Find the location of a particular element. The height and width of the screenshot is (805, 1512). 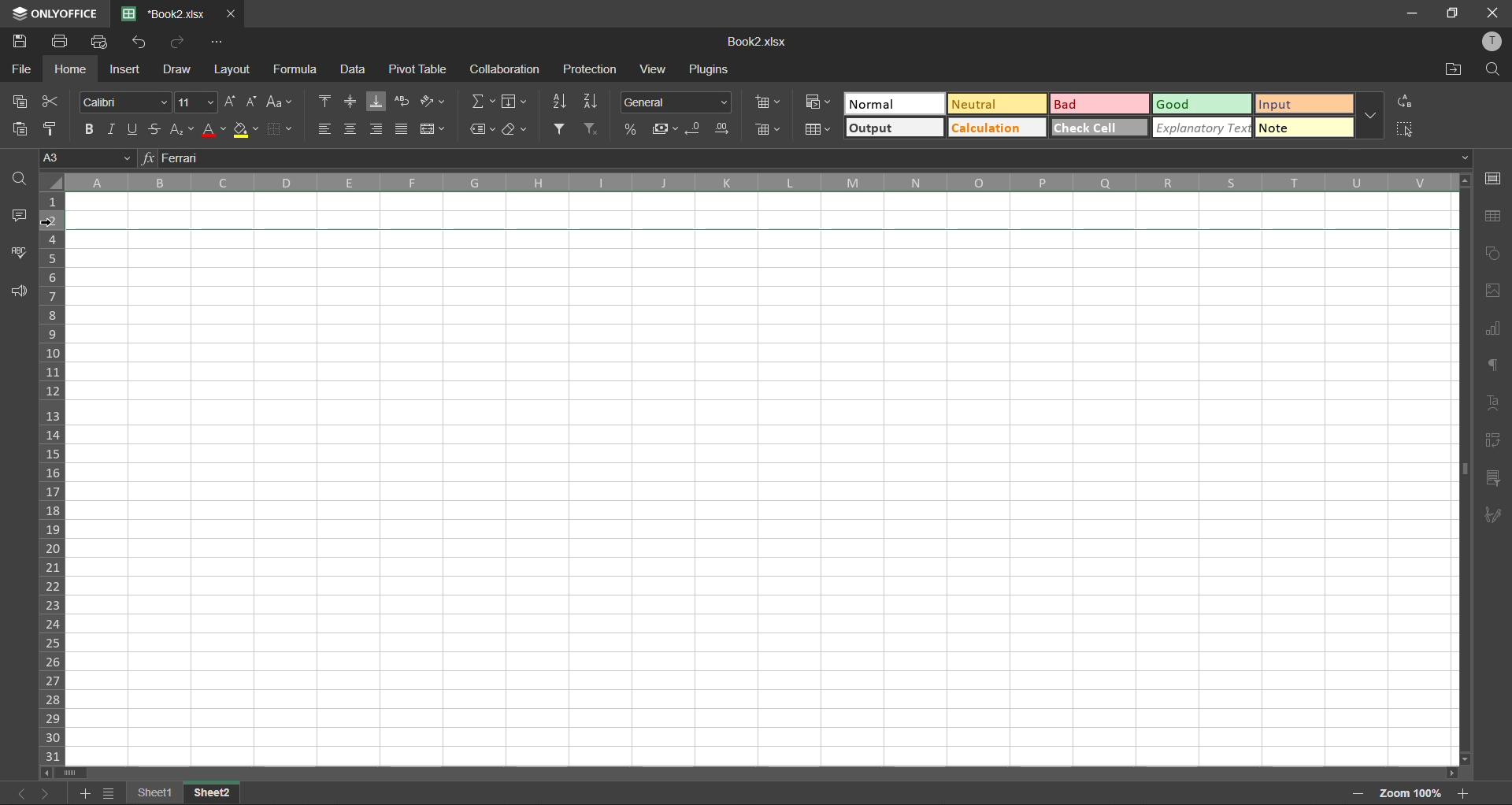

explanatory text is located at coordinates (1202, 129).